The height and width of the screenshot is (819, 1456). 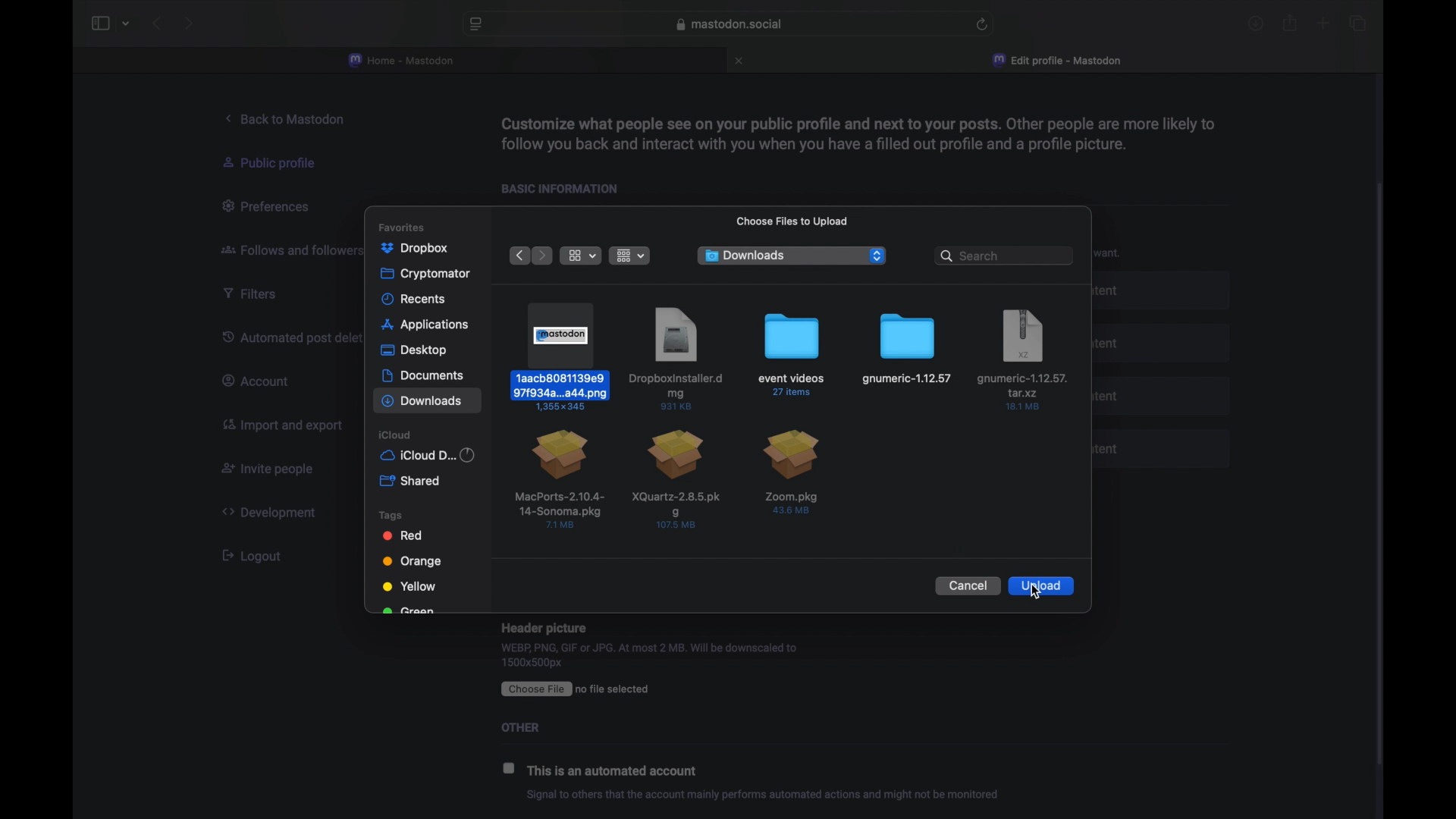 I want to click on info, so click(x=763, y=795).